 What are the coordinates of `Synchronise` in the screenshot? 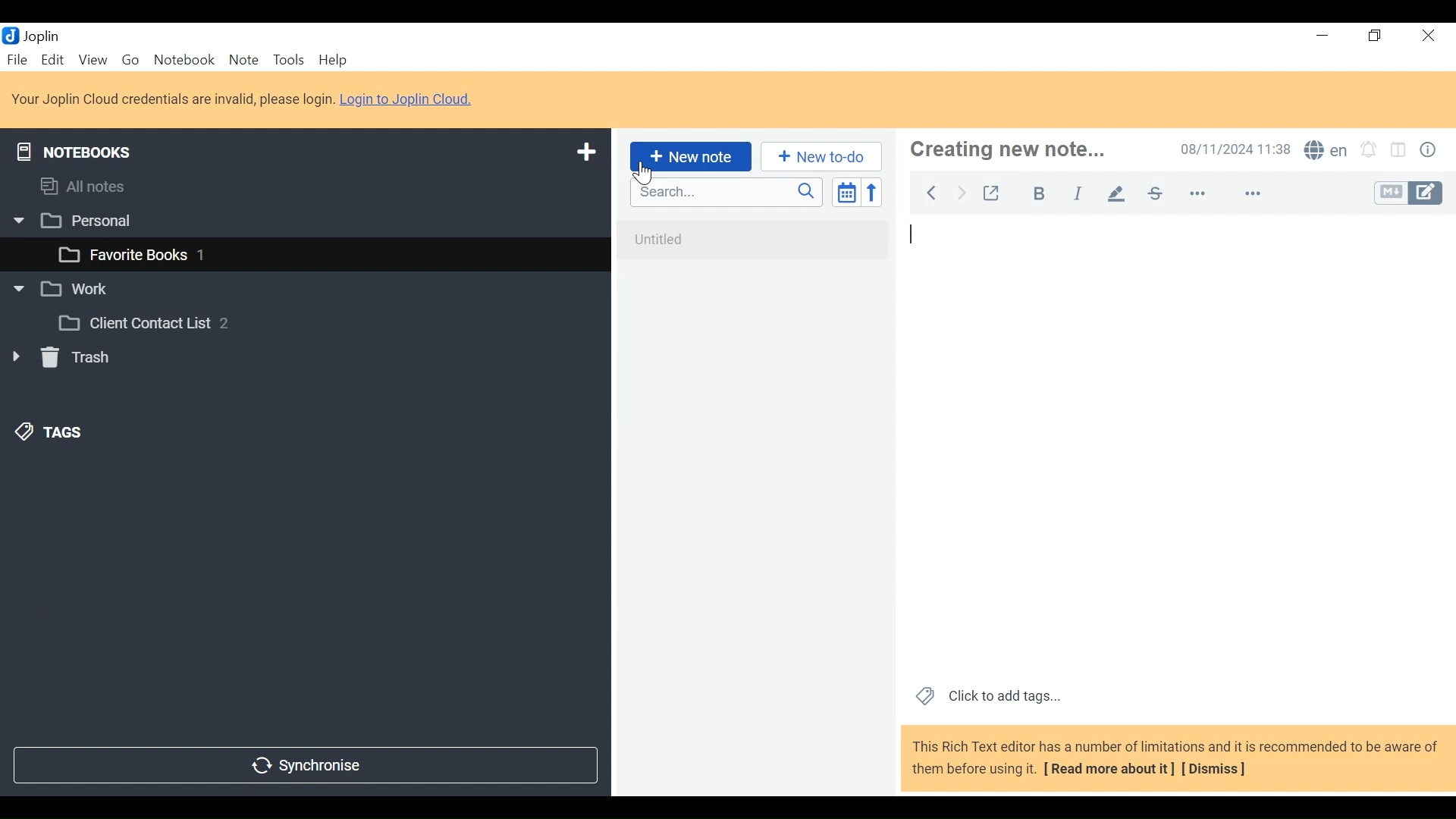 It's located at (308, 765).